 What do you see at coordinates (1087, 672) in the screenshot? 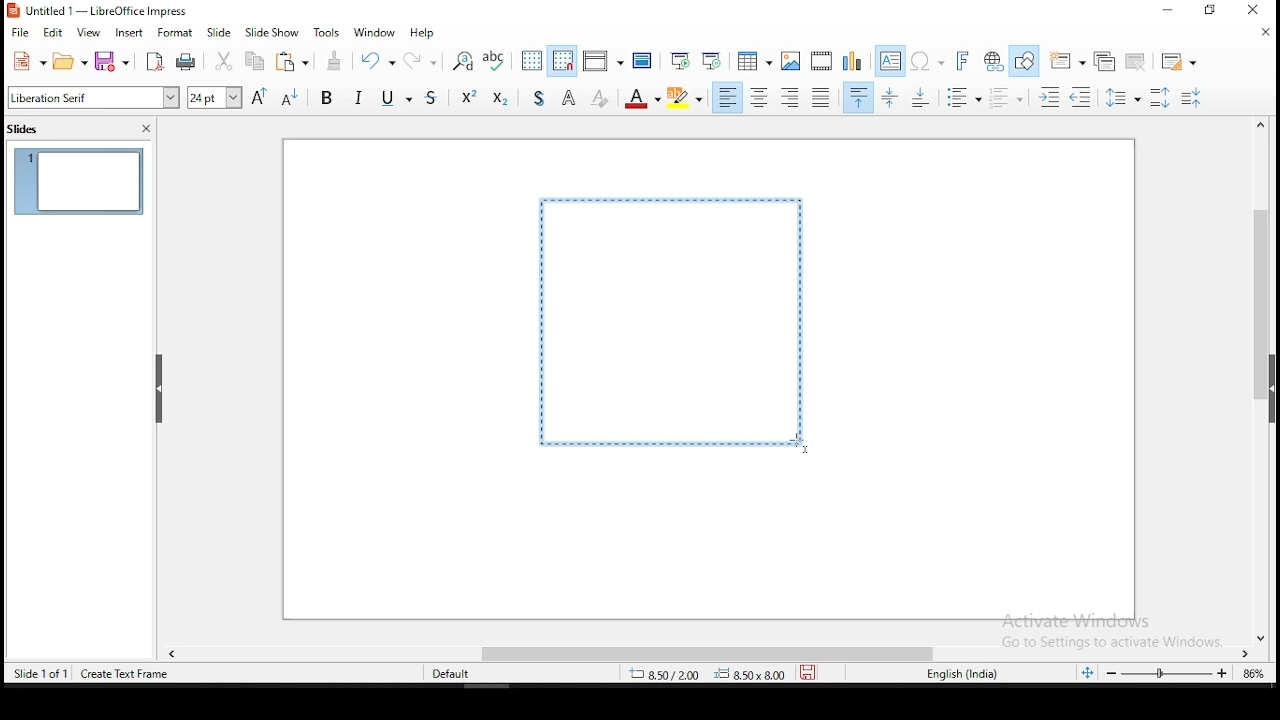
I see `fit slide to current window` at bounding box center [1087, 672].